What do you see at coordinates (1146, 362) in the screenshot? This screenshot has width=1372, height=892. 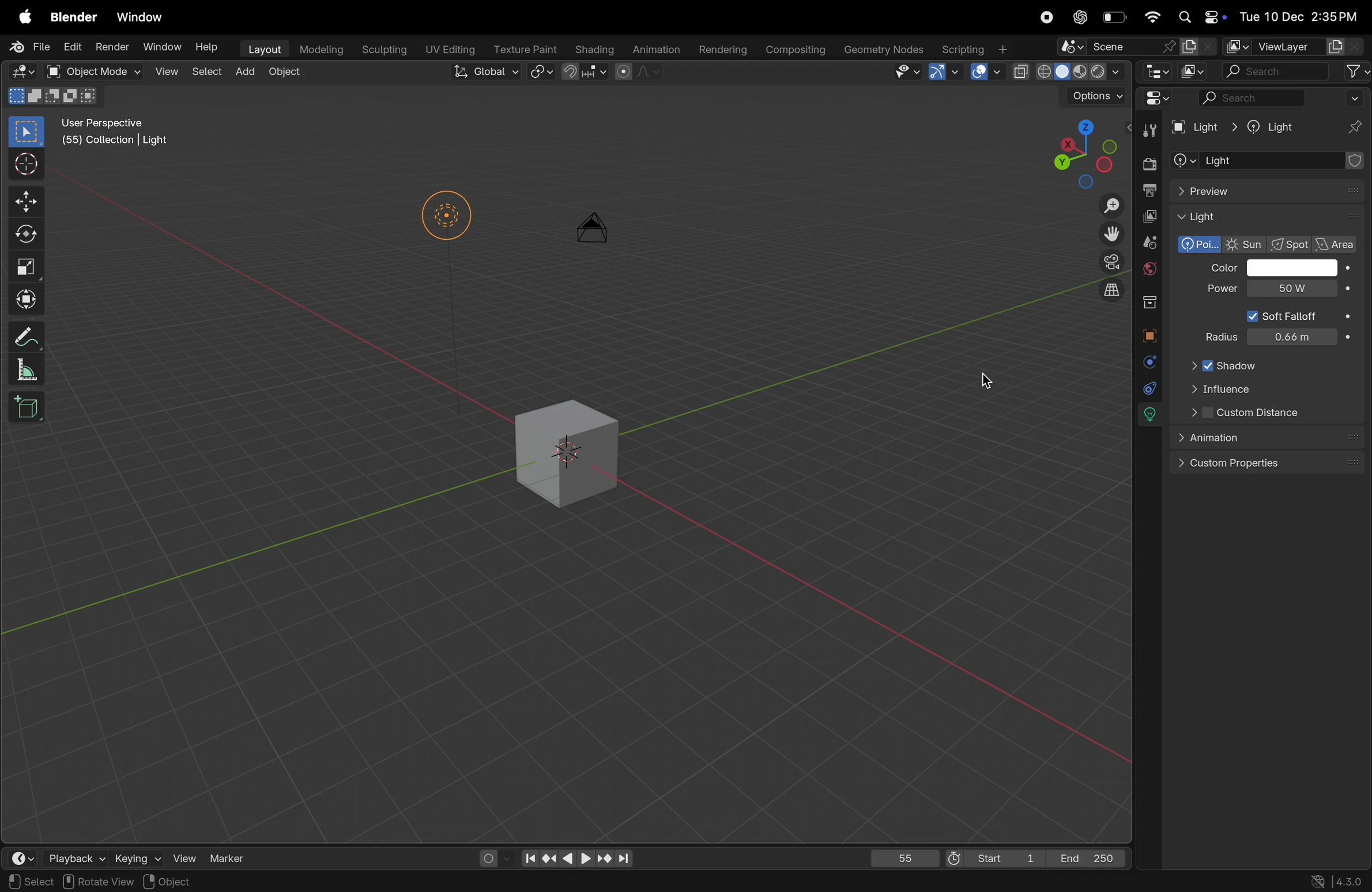 I see `physics` at bounding box center [1146, 362].